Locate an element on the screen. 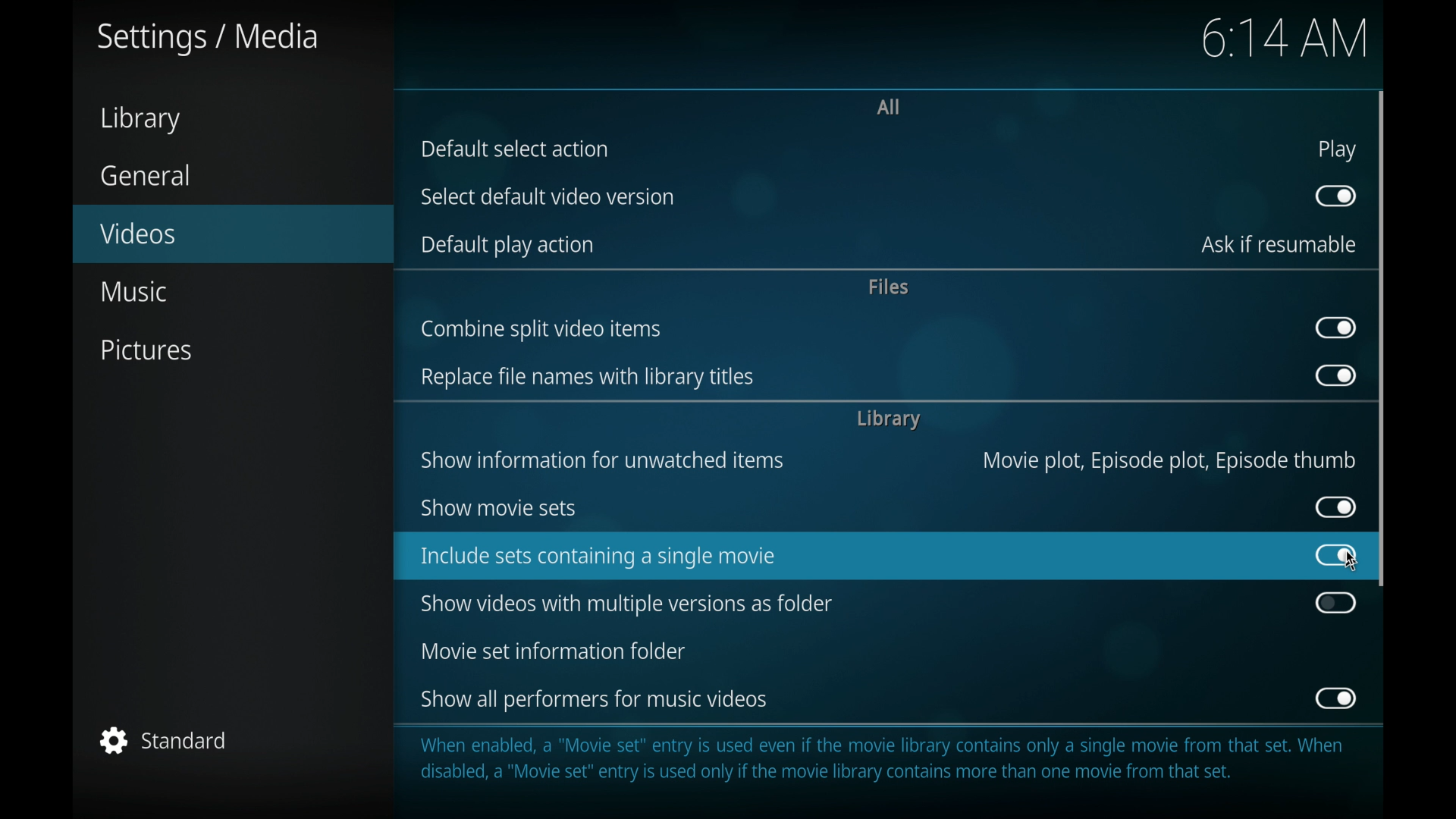 This screenshot has width=1456, height=819. show information is located at coordinates (602, 460).